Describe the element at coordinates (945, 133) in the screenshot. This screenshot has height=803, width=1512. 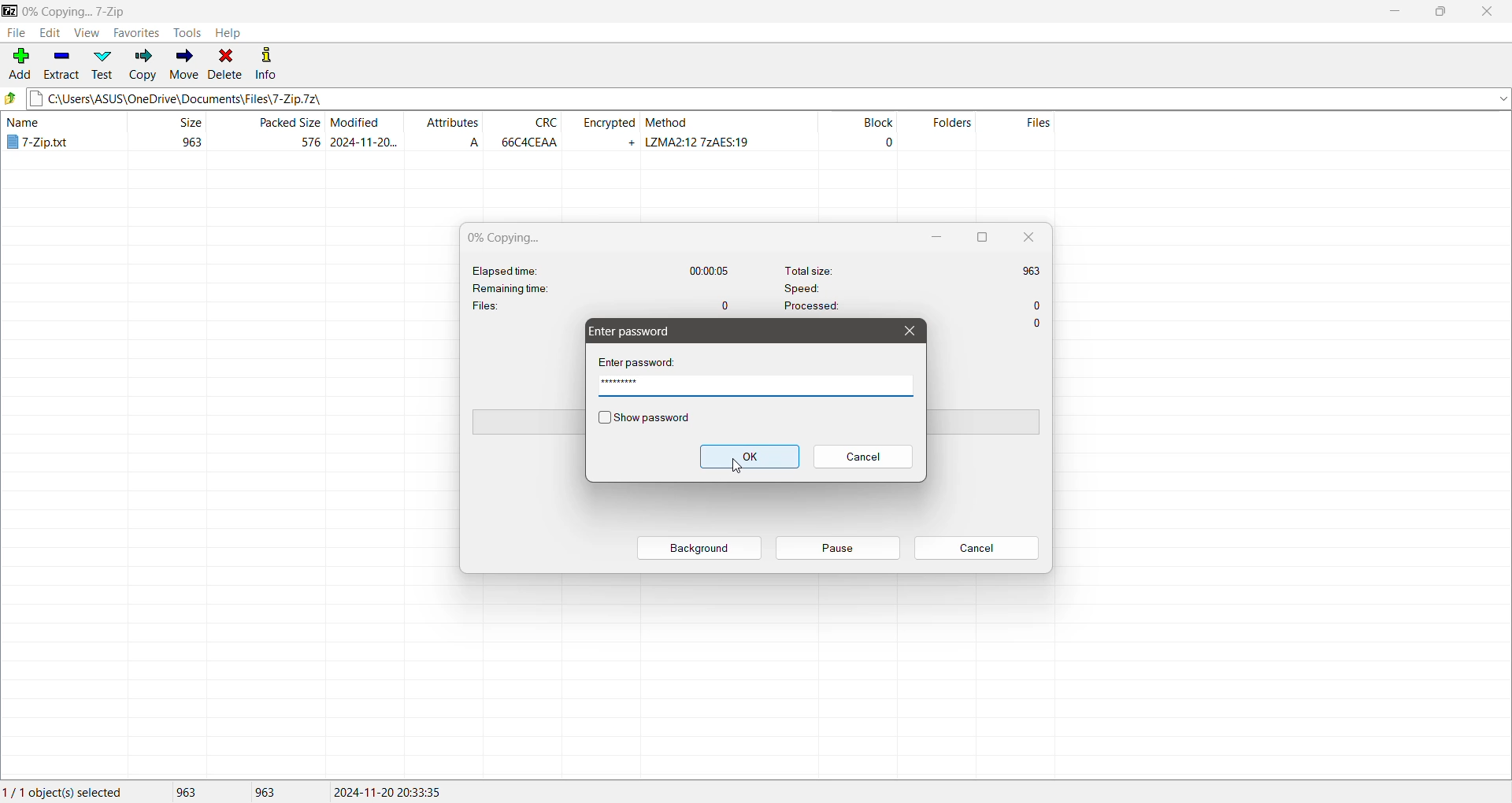
I see `Folders` at that location.